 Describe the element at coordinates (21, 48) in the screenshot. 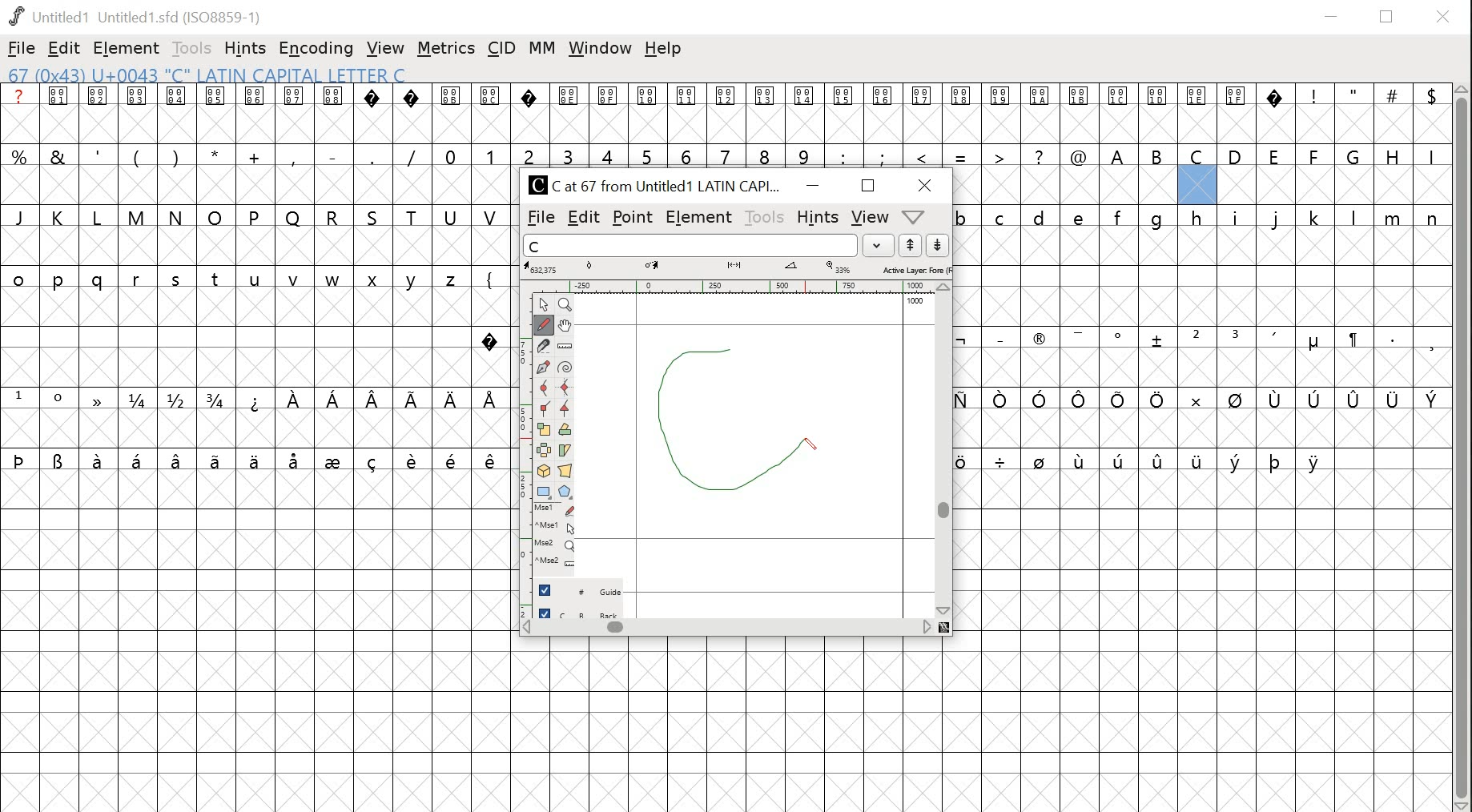

I see `file` at that location.